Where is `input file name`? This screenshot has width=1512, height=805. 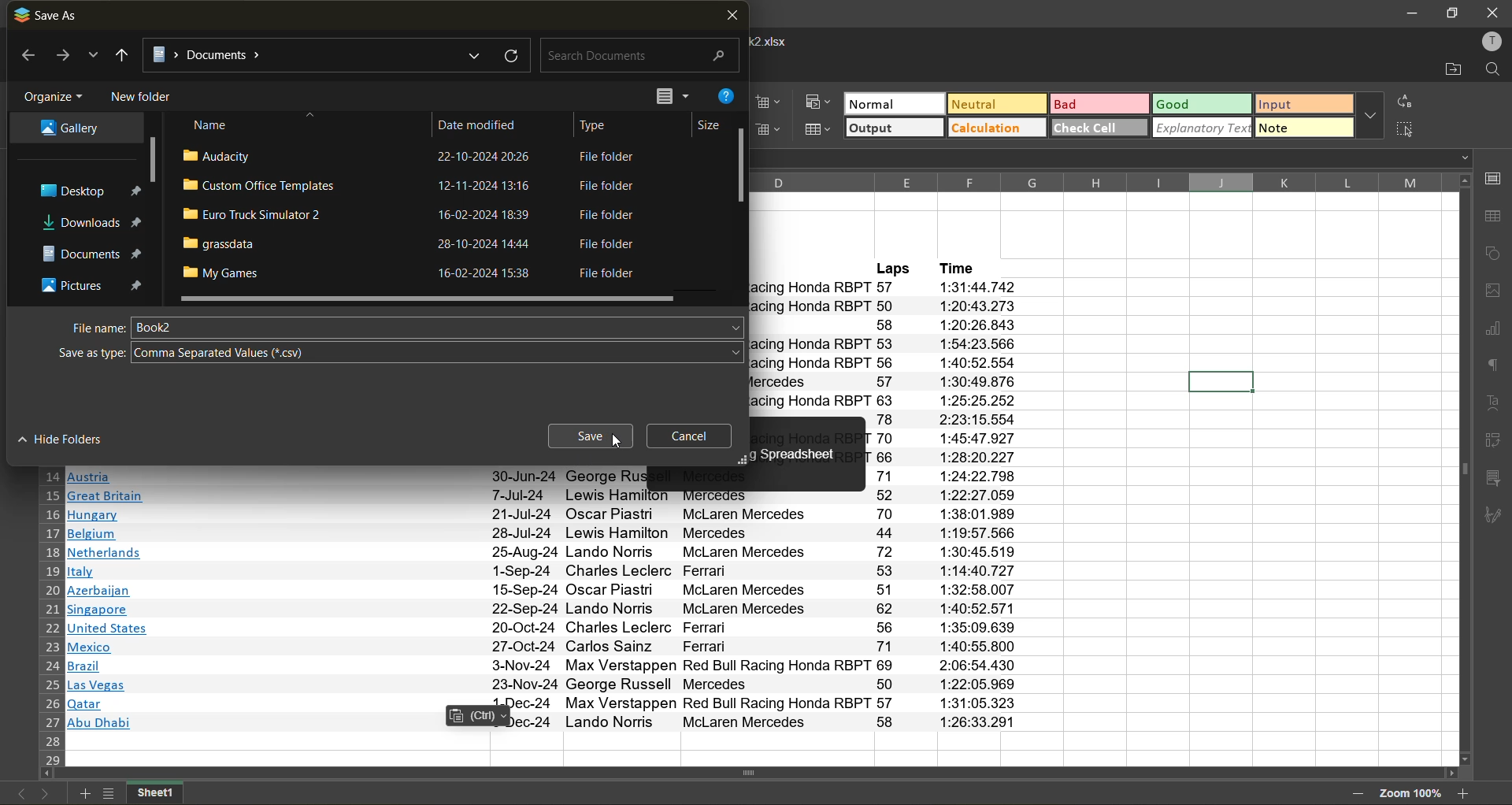 input file name is located at coordinates (439, 327).